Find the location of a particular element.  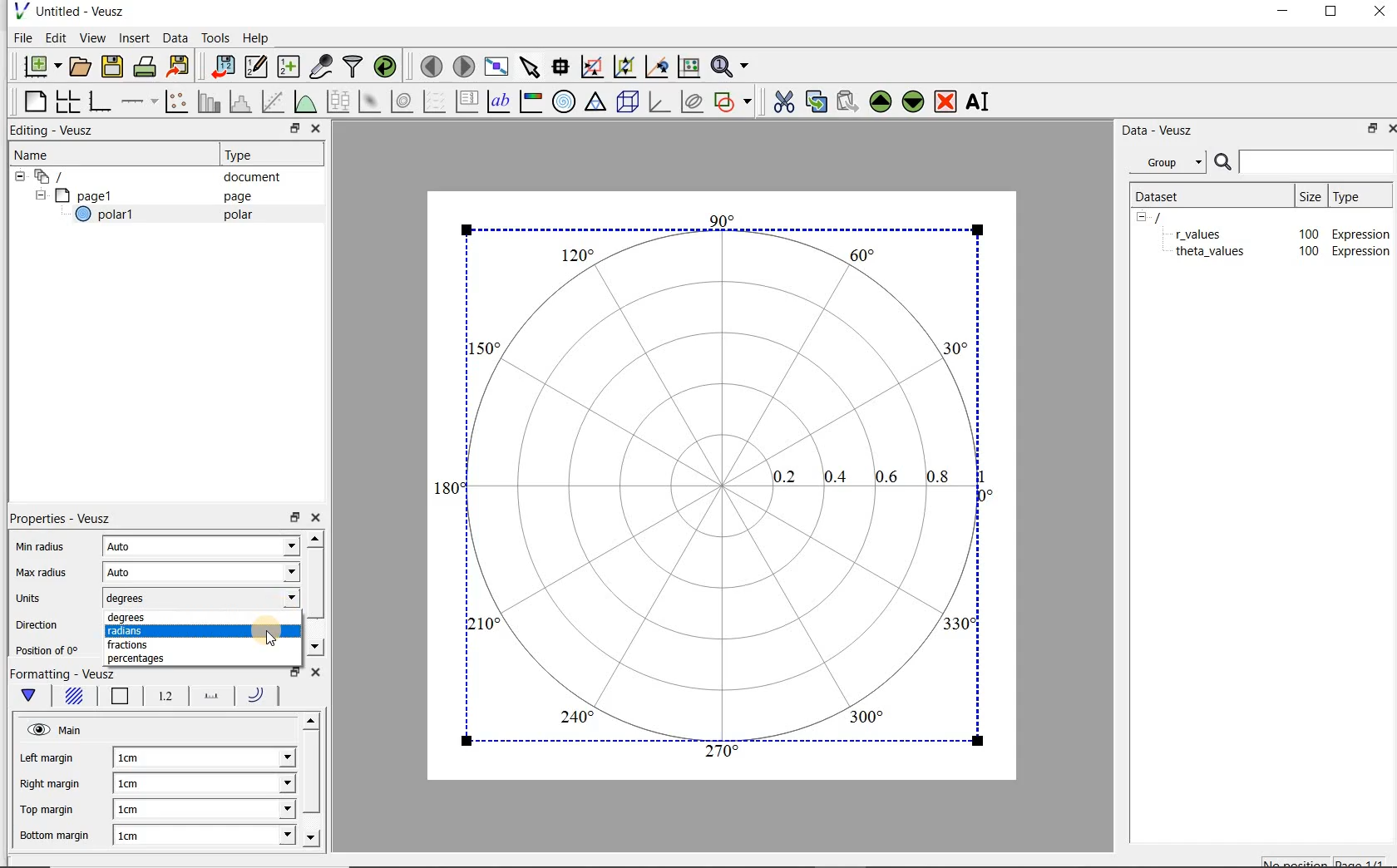

Formatting - Veusz is located at coordinates (68, 677).